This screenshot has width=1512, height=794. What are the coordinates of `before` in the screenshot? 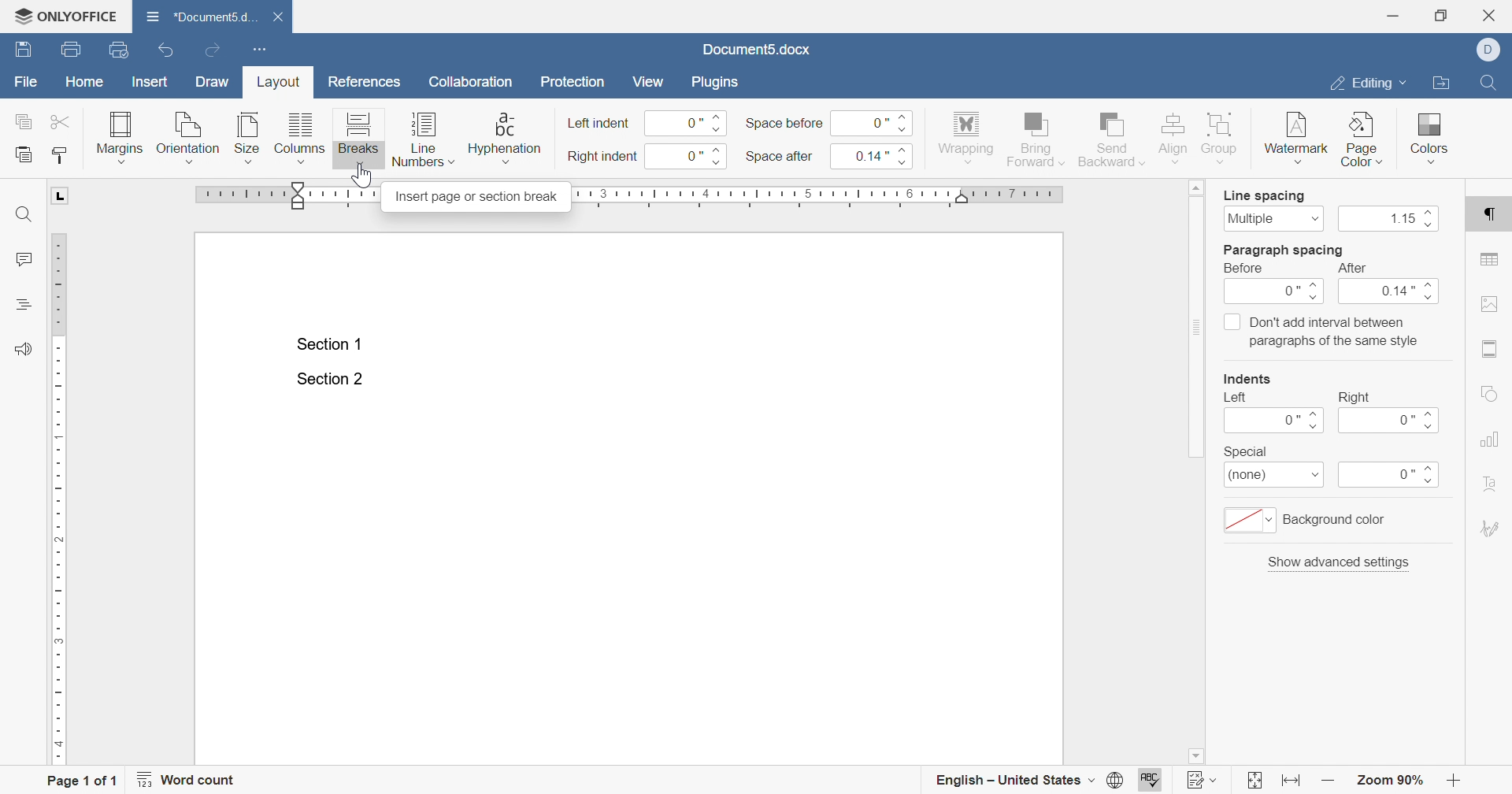 It's located at (1247, 269).